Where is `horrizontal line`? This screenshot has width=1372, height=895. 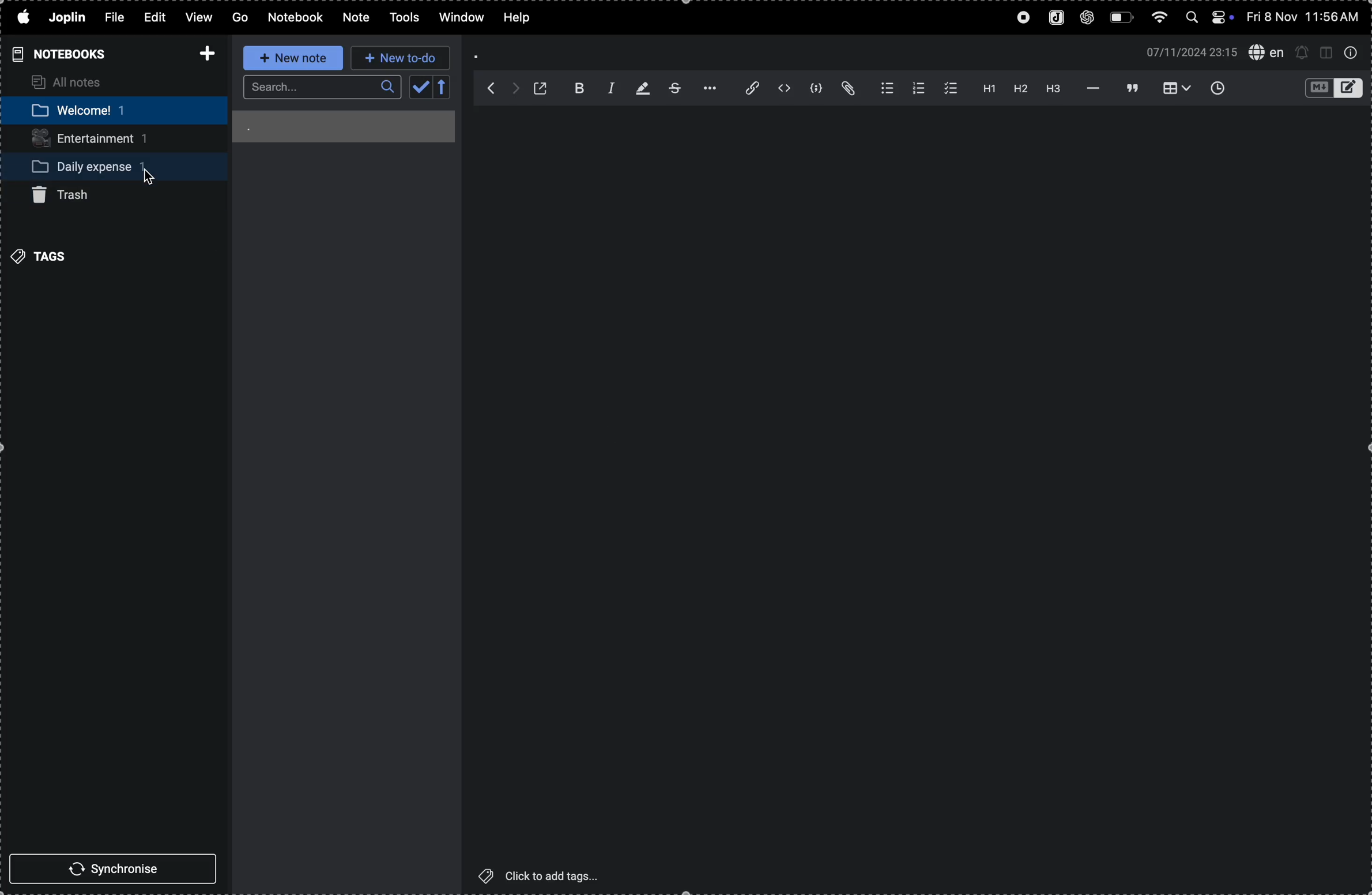
horrizontal line is located at coordinates (1090, 88).